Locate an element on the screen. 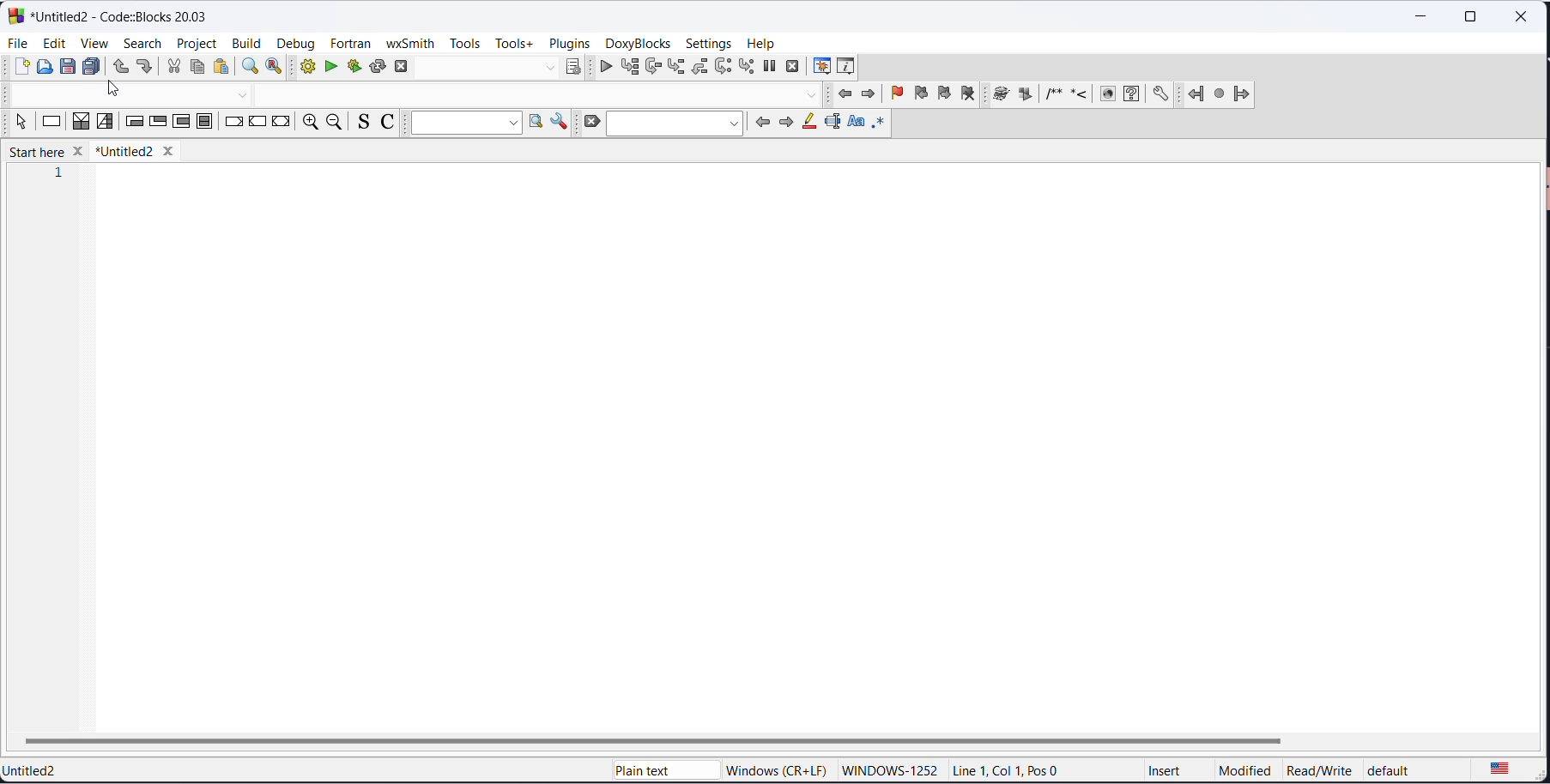  next bookmark is located at coordinates (943, 94).